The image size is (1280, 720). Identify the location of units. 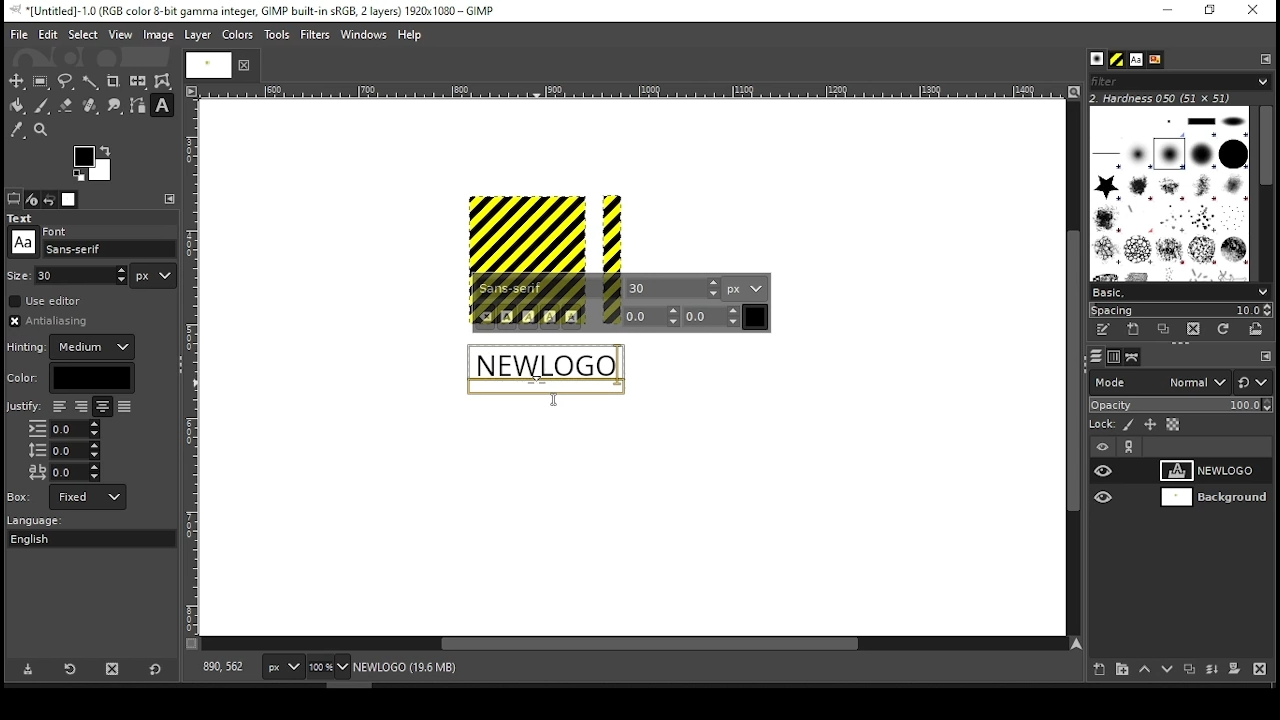
(745, 288).